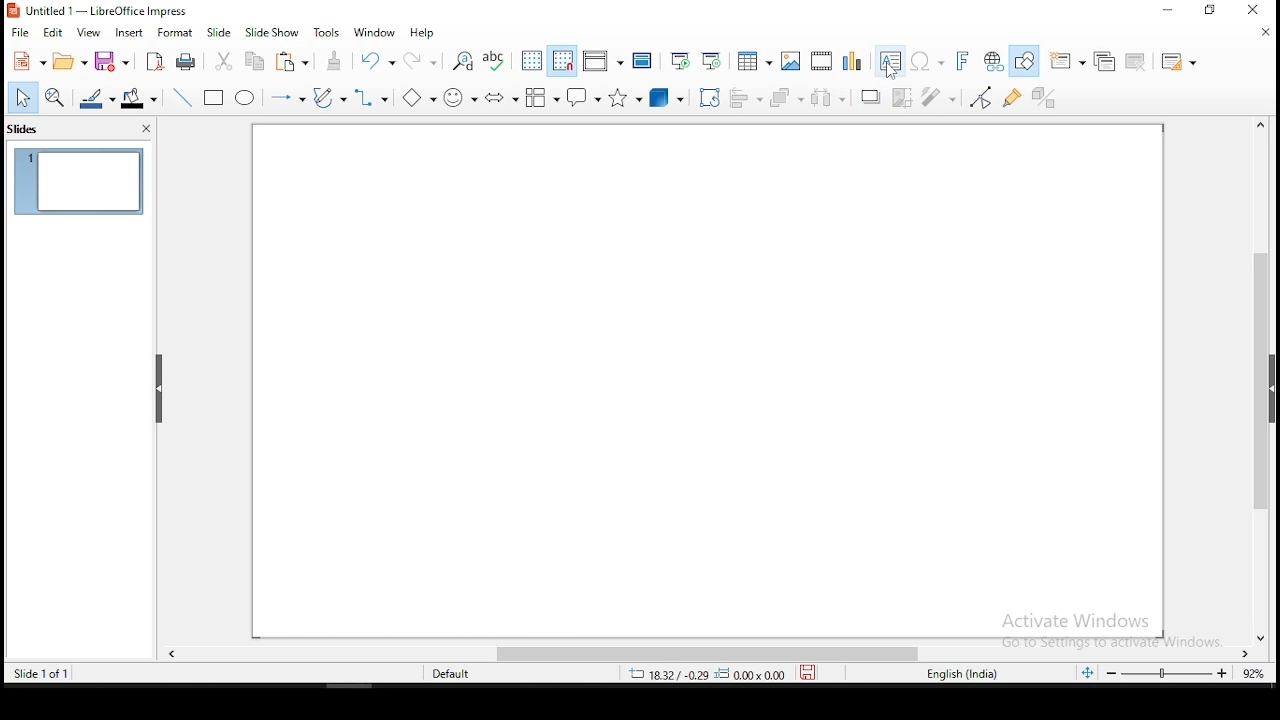 The height and width of the screenshot is (720, 1280). What do you see at coordinates (742, 95) in the screenshot?
I see `align objects` at bounding box center [742, 95].